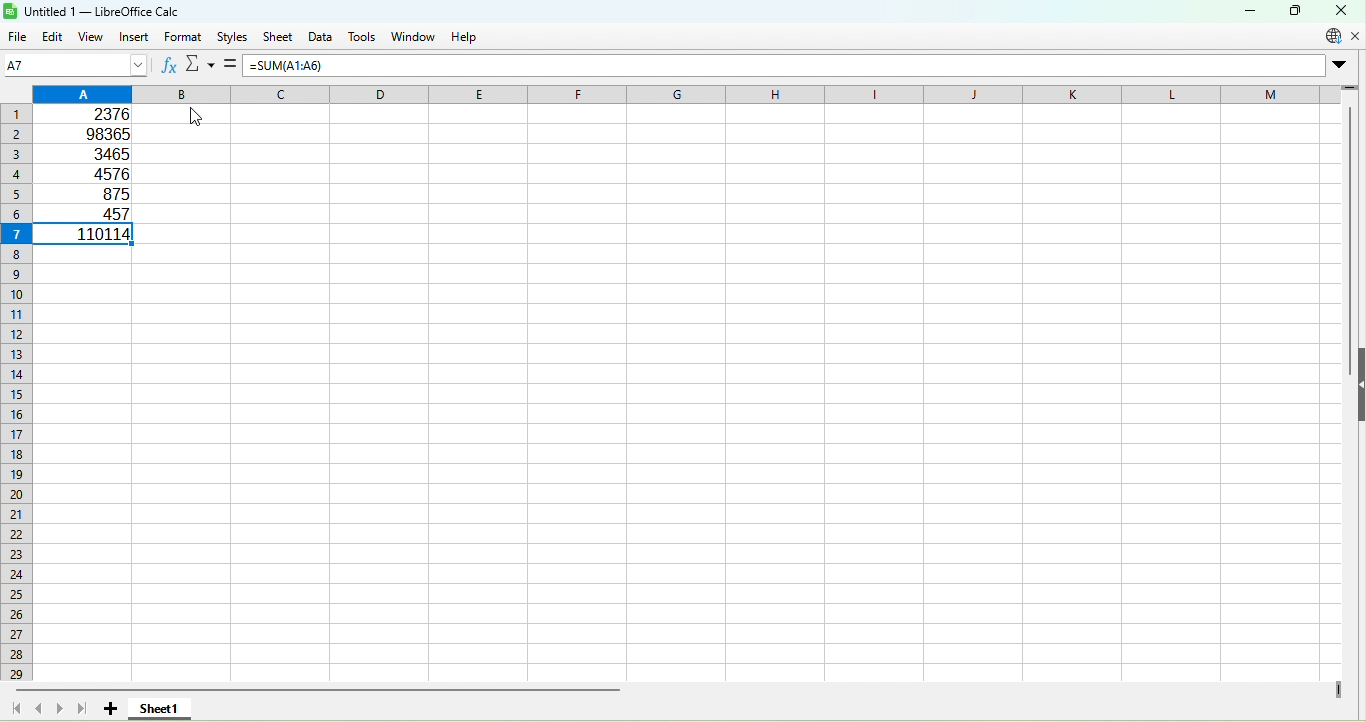  I want to click on Name box, so click(123, 63).